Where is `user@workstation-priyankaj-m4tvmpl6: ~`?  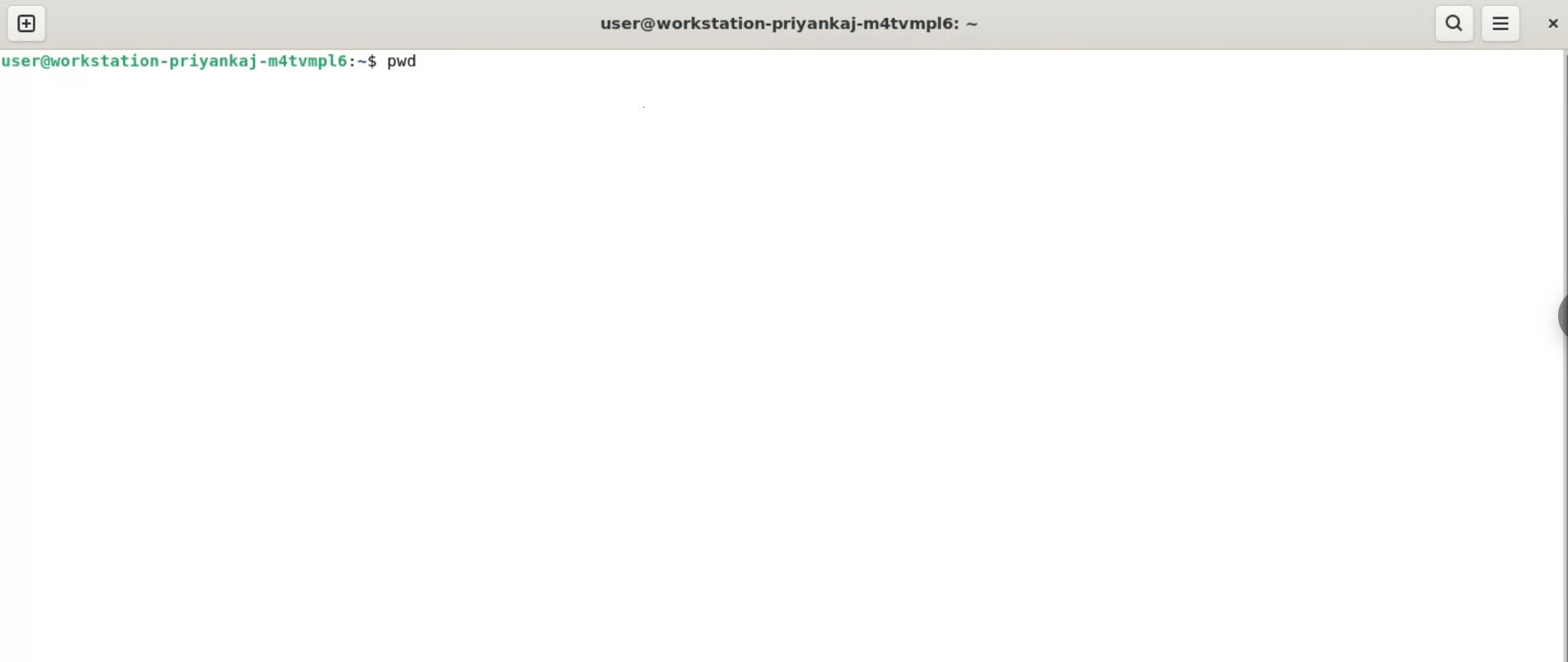 user@workstation-priyankaj-m4tvmpl6: ~ is located at coordinates (810, 24).